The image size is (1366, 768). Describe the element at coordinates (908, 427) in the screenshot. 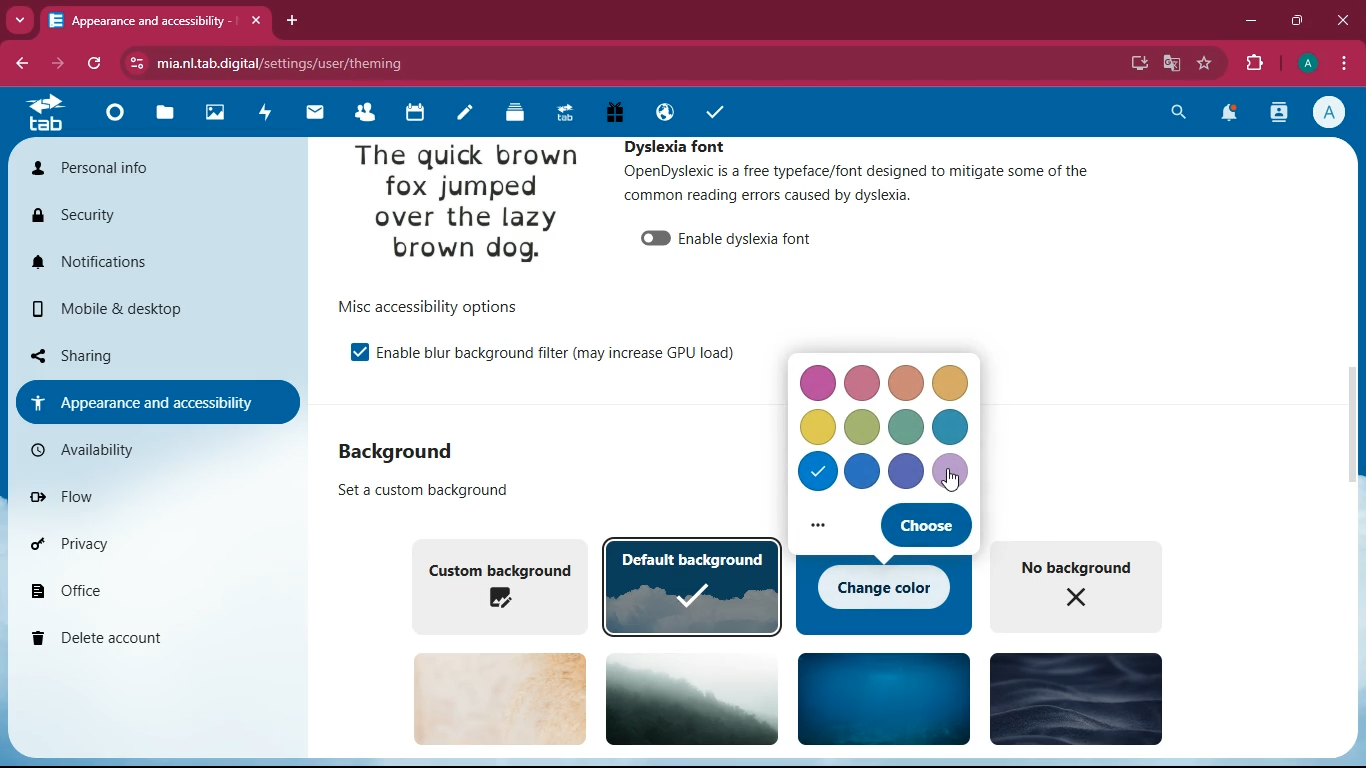

I see `color` at that location.